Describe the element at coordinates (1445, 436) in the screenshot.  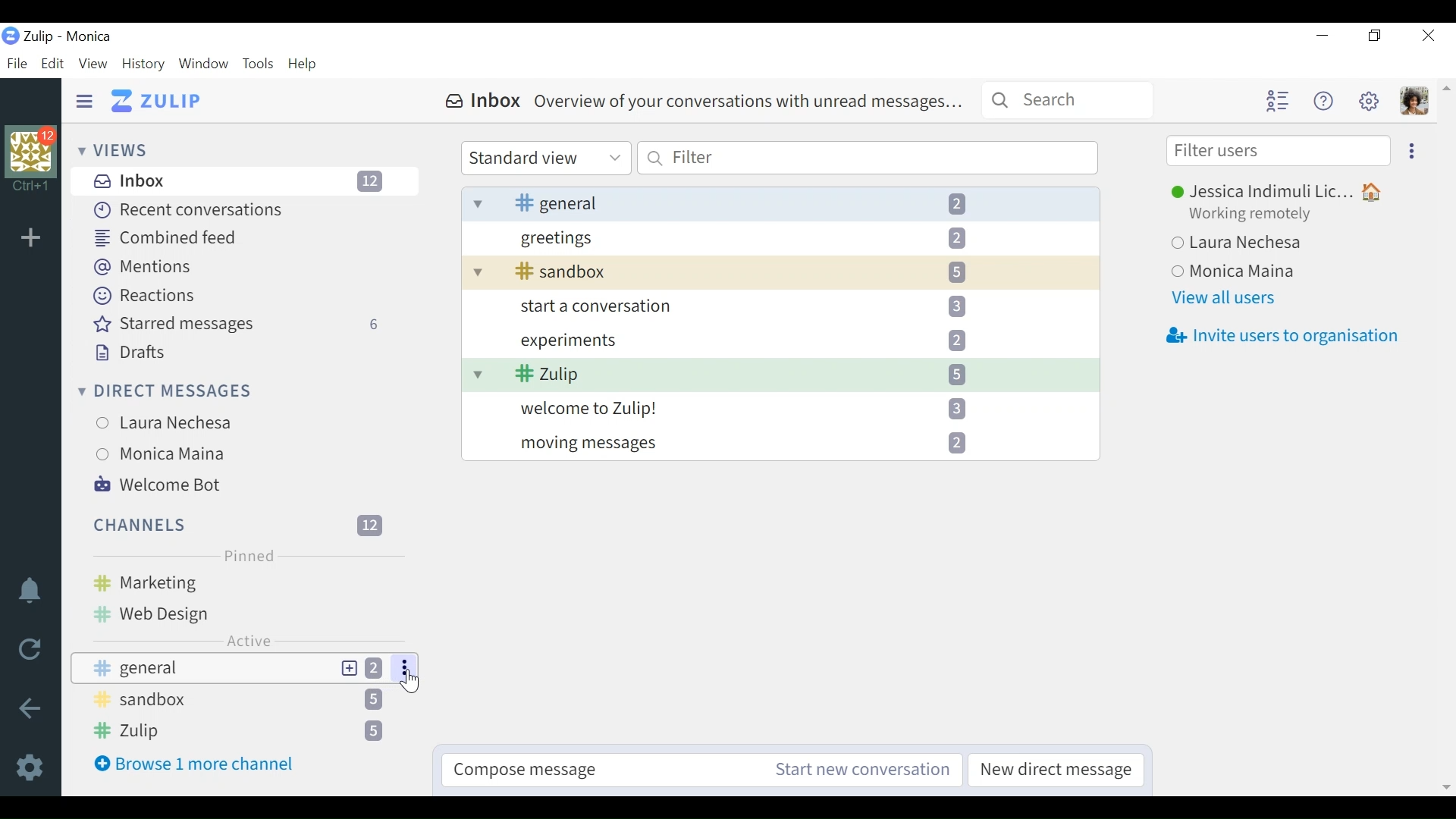
I see `Scrollbar` at that location.